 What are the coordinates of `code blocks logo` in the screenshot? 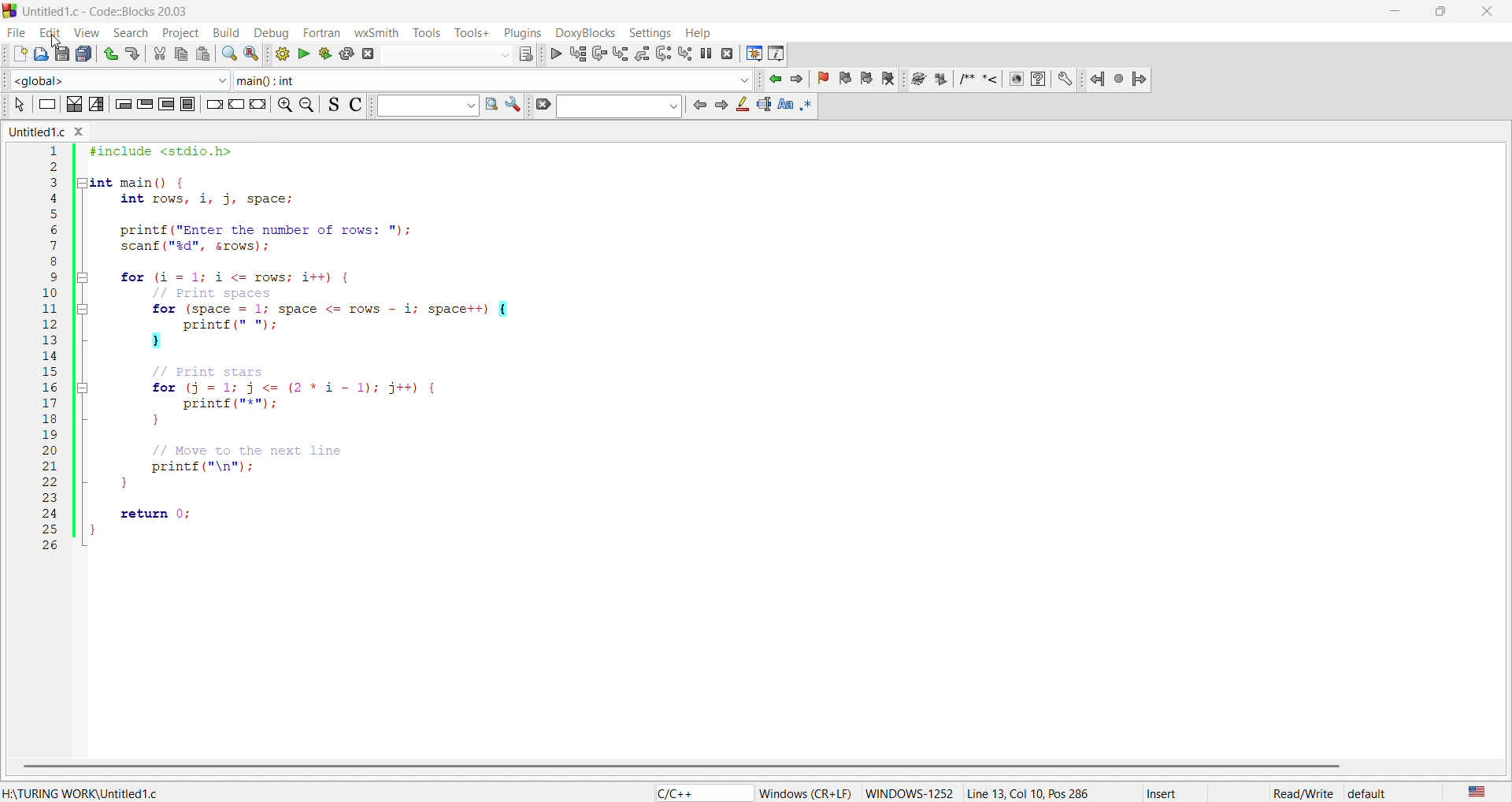 It's located at (9, 12).